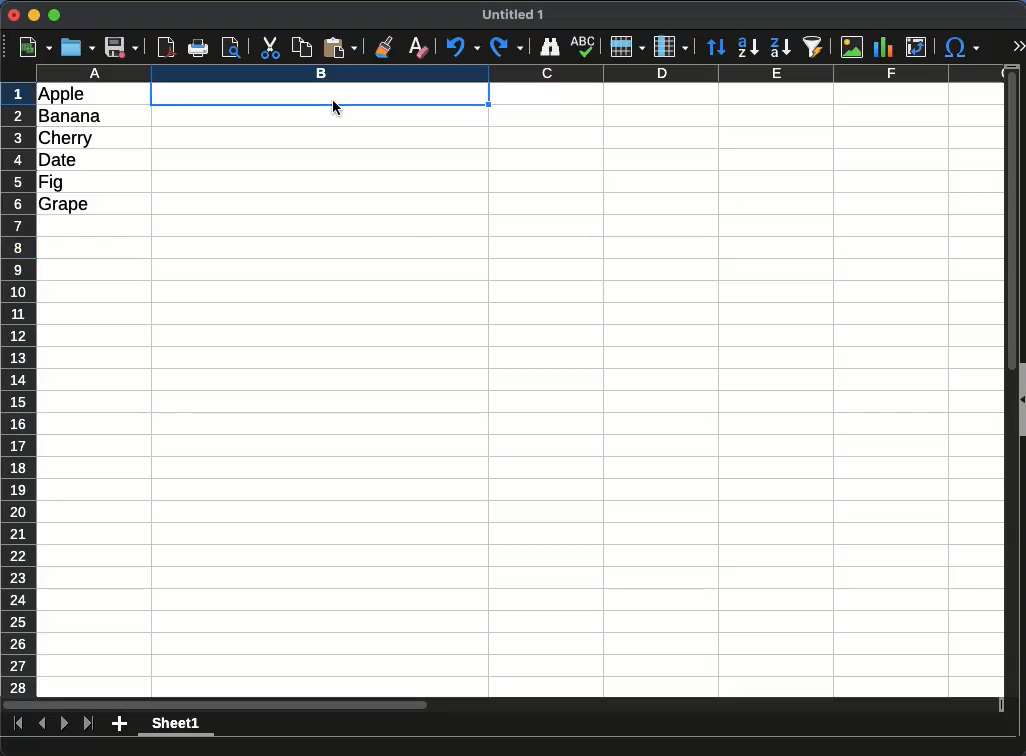 The width and height of the screenshot is (1026, 756). I want to click on scroll, so click(503, 705).